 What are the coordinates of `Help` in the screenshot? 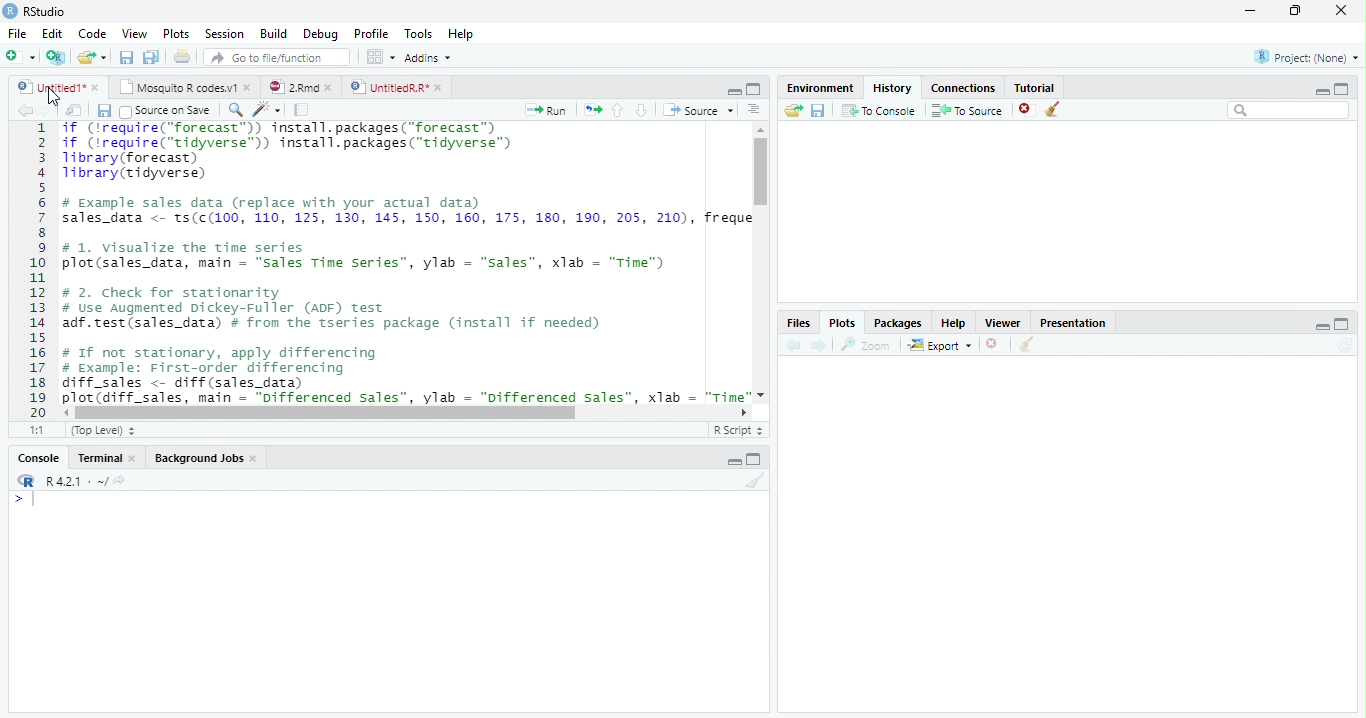 It's located at (955, 324).